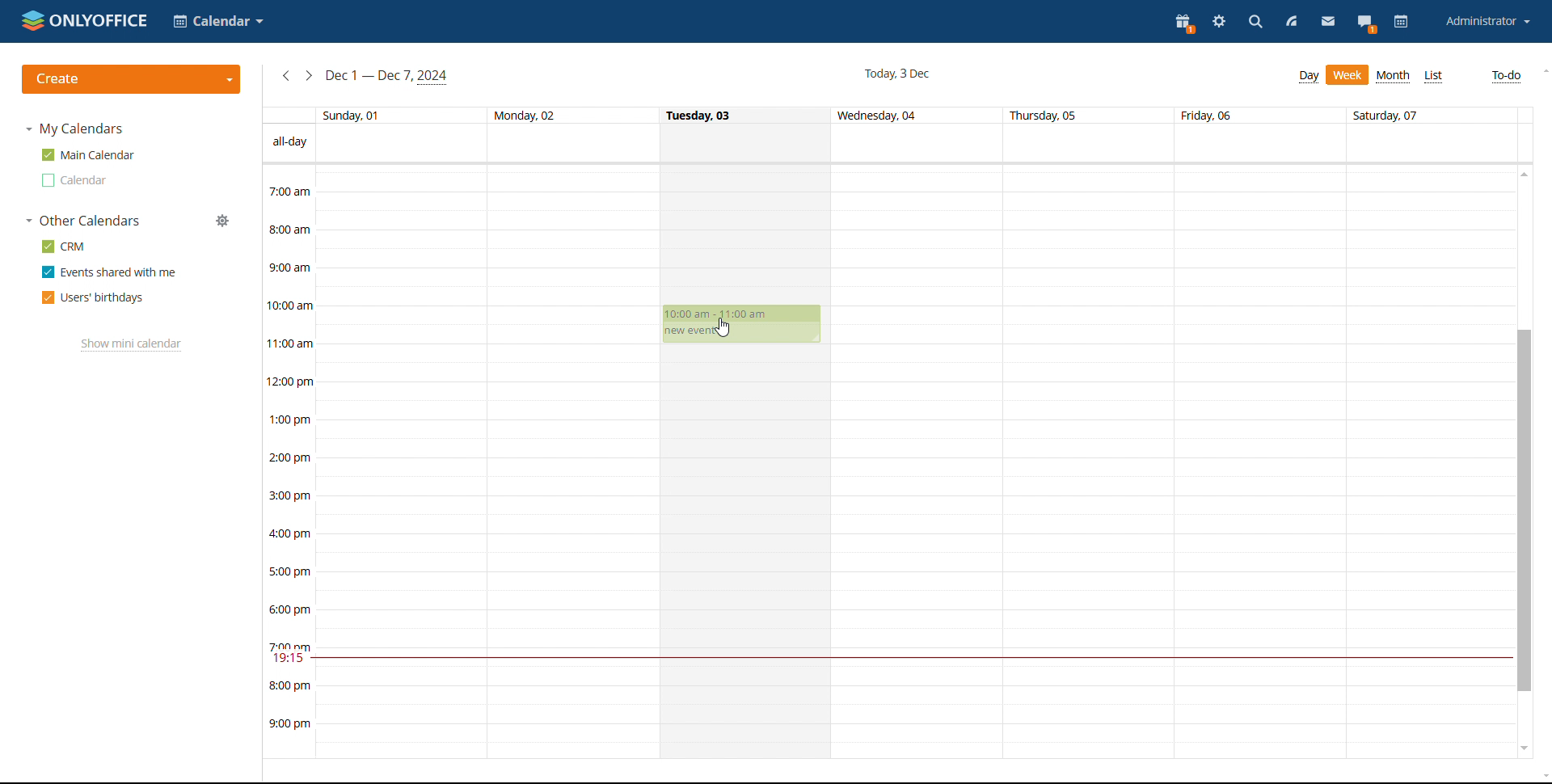 The image size is (1552, 784). Describe the element at coordinates (1526, 512) in the screenshot. I see `scrollbar` at that location.